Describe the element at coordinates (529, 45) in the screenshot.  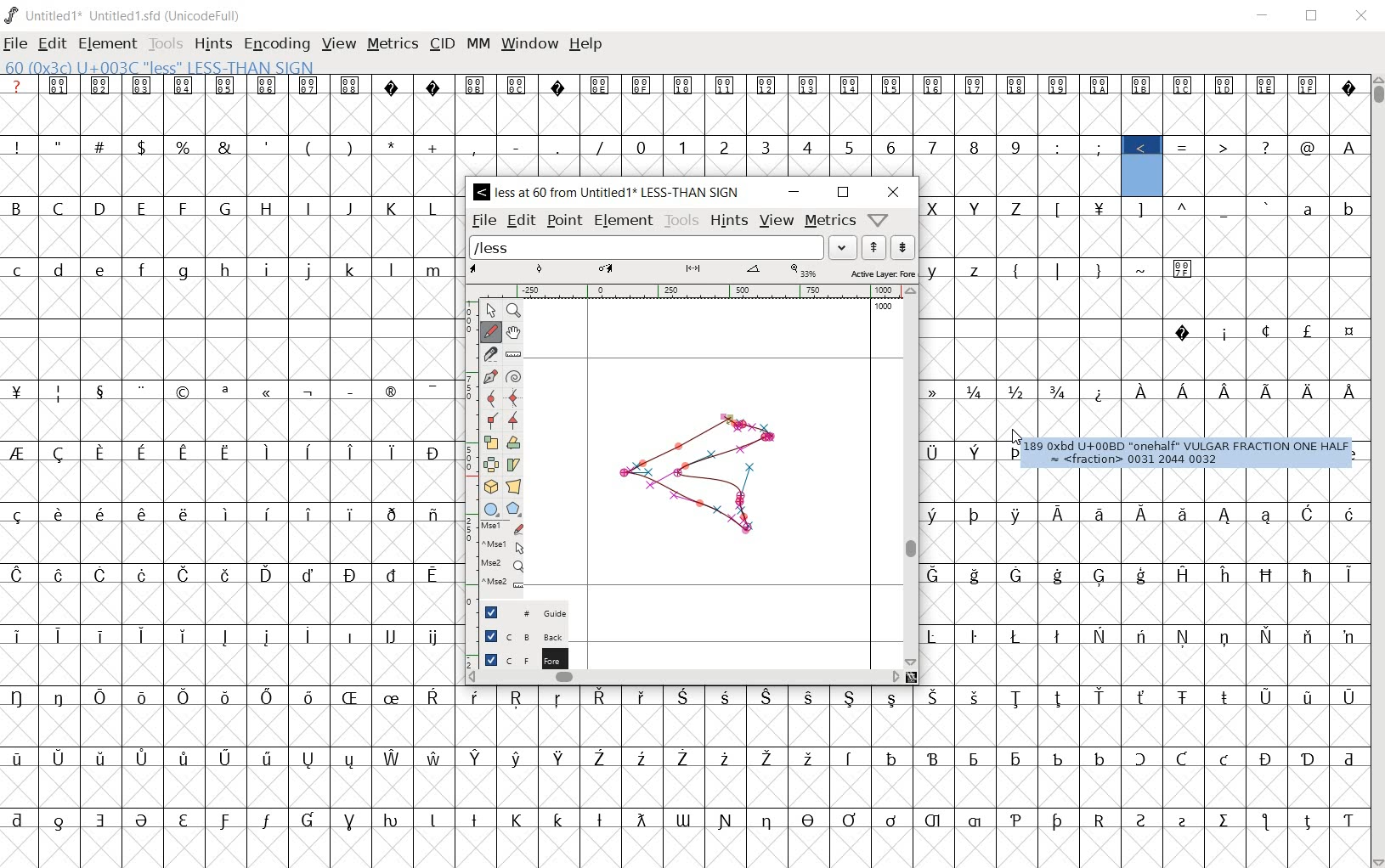
I see `window` at that location.